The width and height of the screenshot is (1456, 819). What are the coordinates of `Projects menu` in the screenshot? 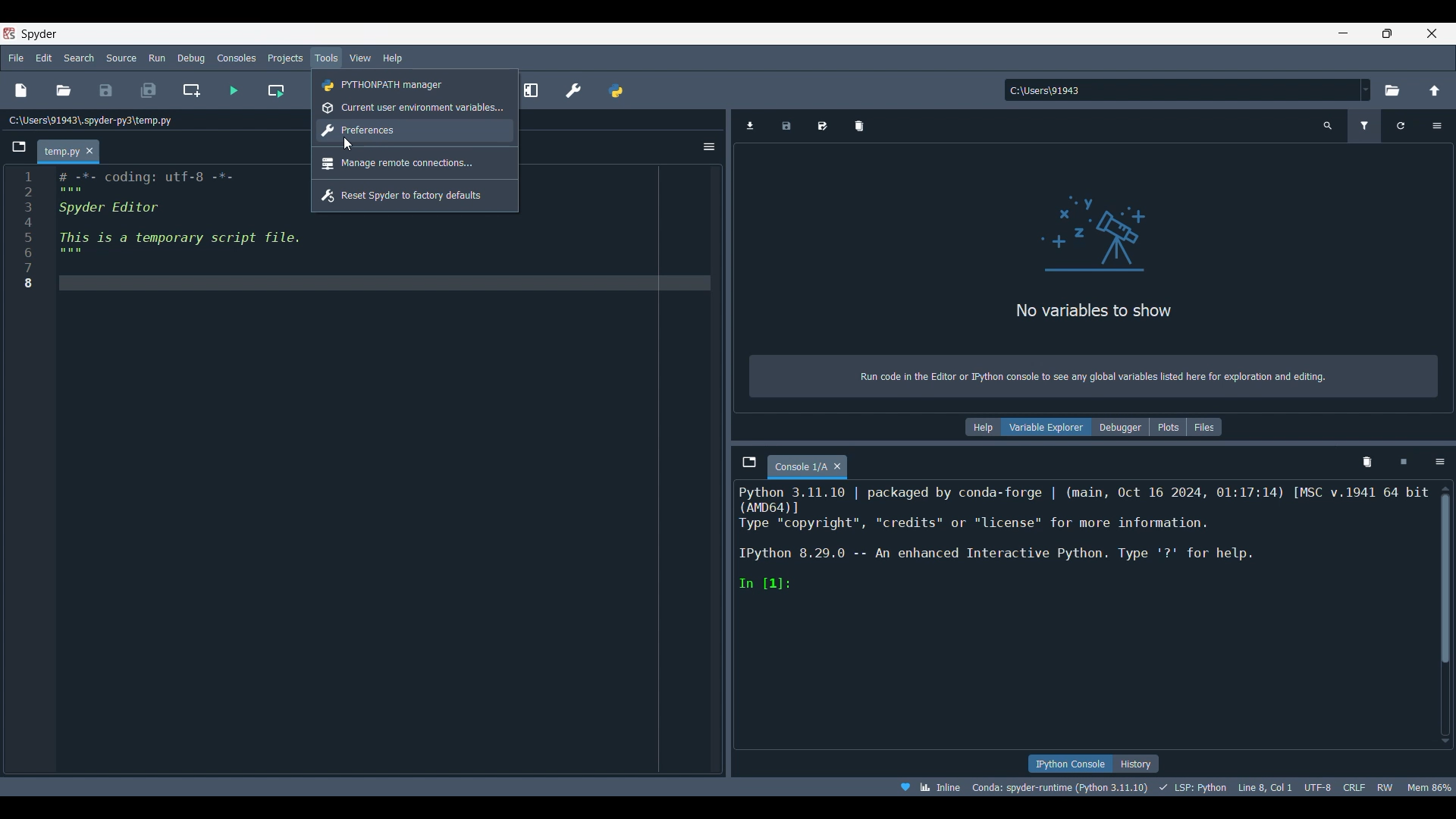 It's located at (284, 57).